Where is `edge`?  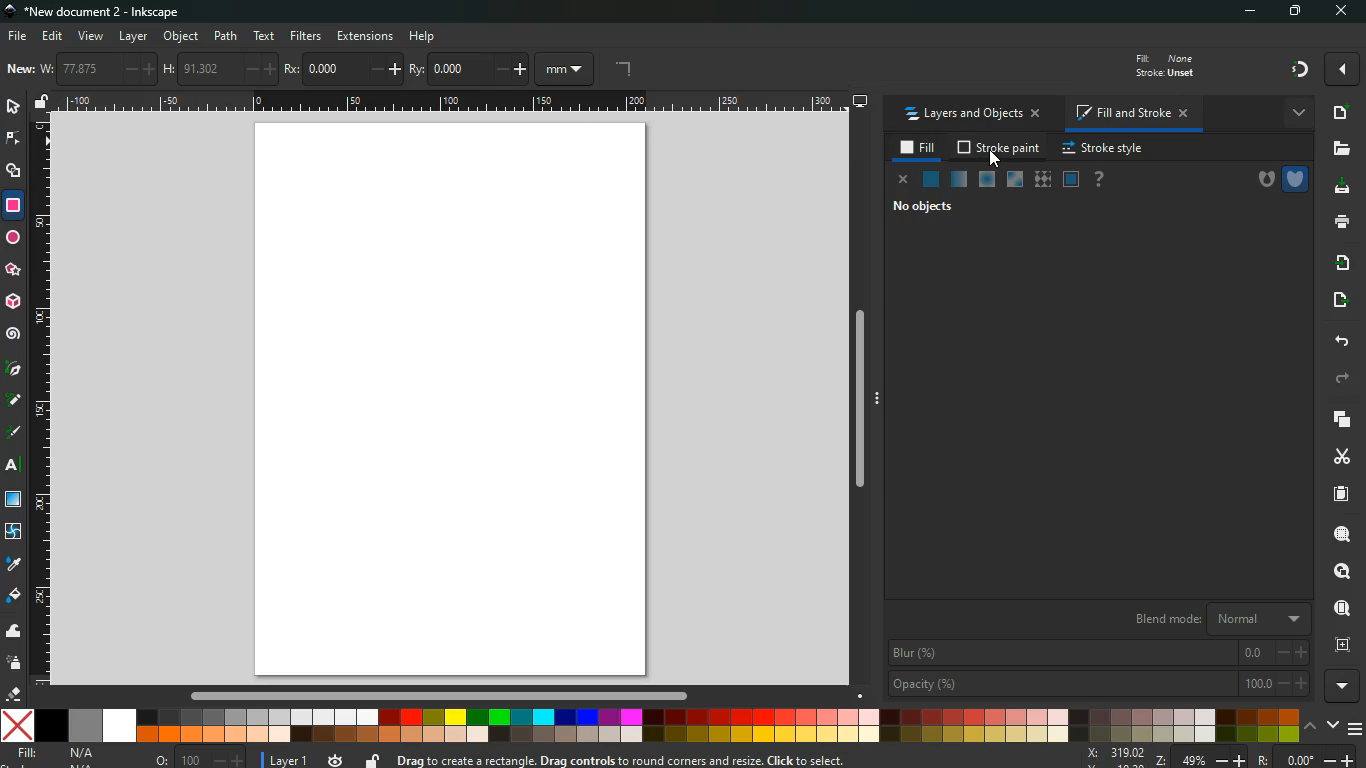 edge is located at coordinates (14, 141).